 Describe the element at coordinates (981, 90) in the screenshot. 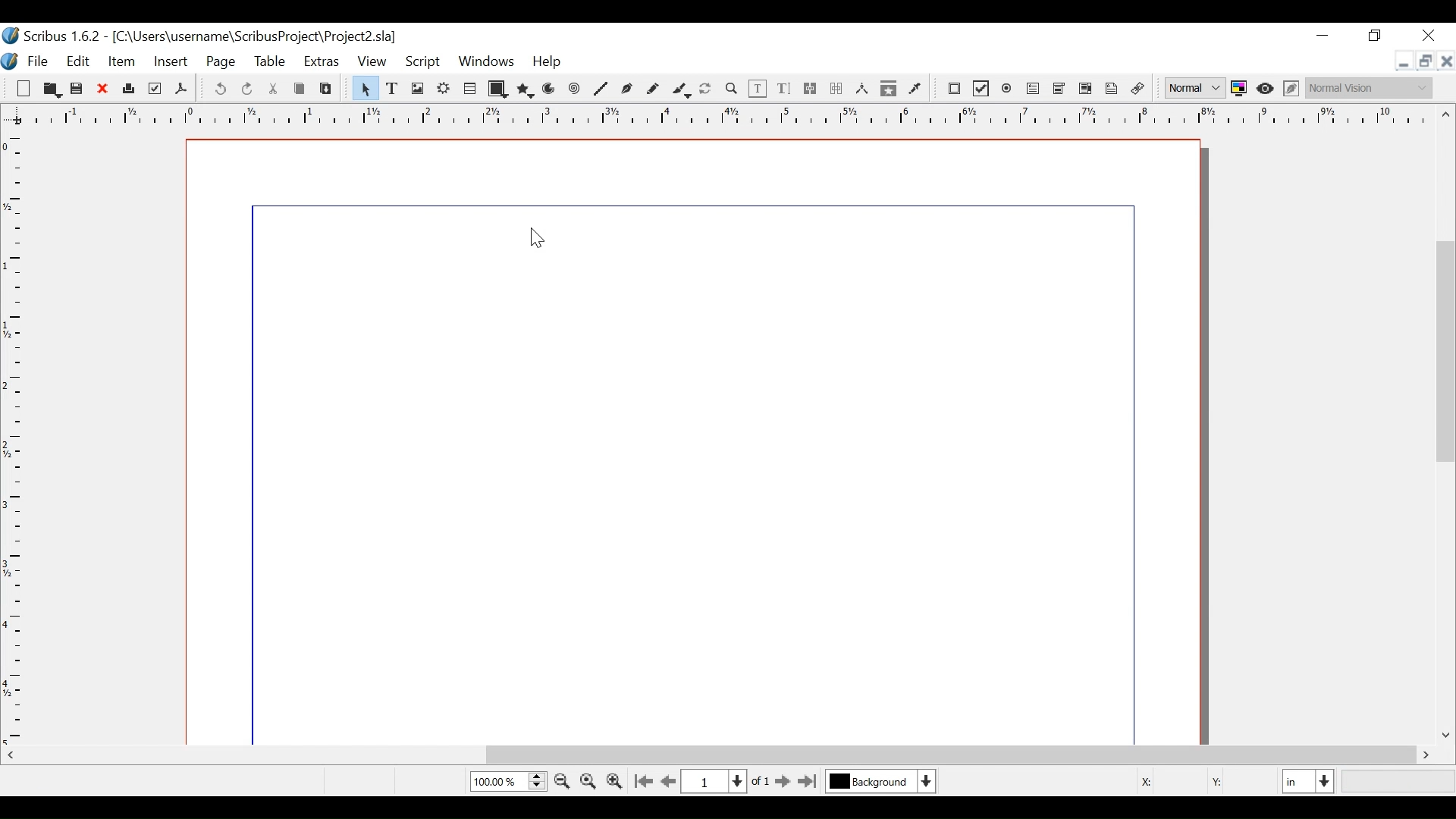

I see `PDF Check Box` at that location.